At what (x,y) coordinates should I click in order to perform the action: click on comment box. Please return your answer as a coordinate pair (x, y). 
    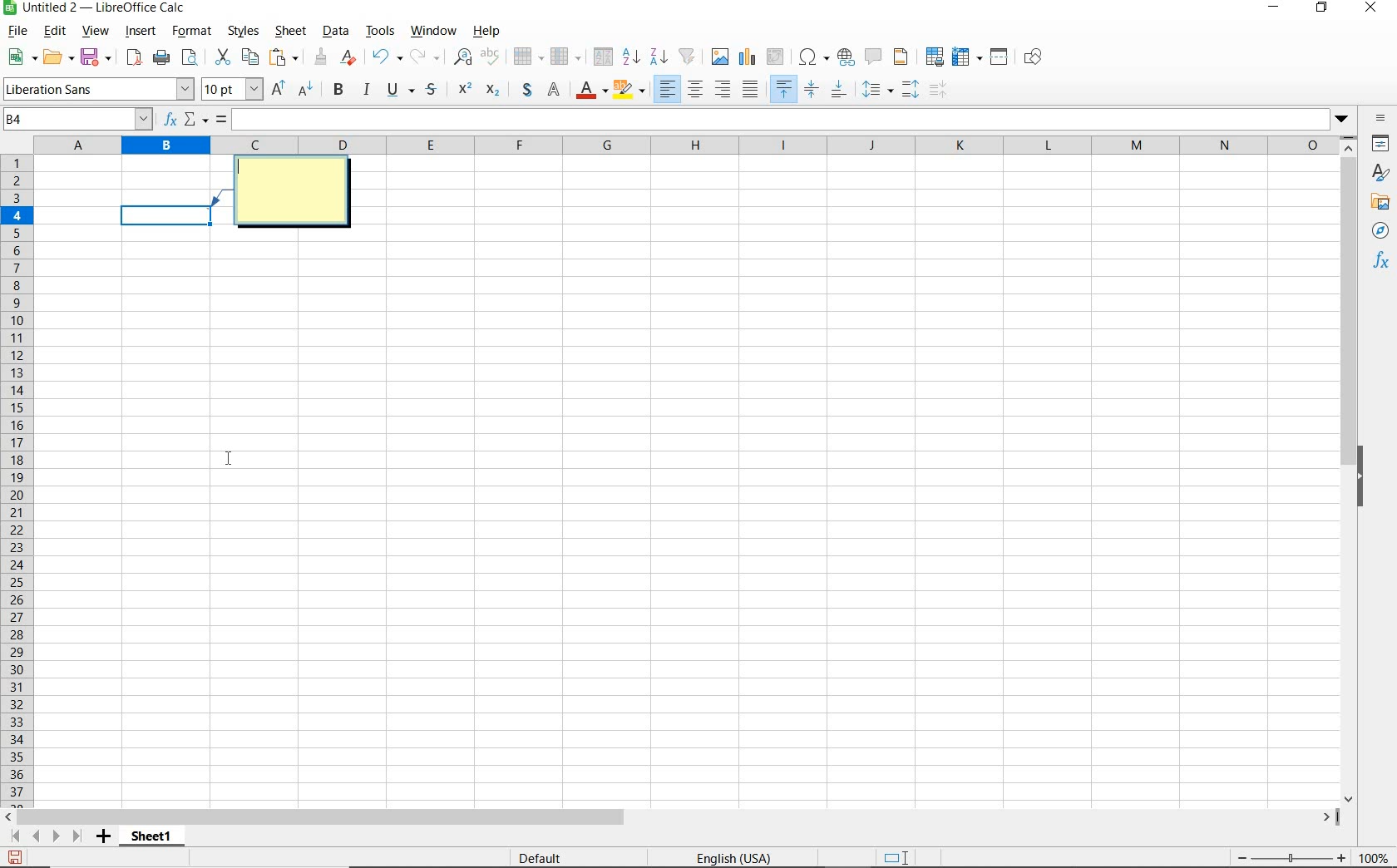
    Looking at the image, I should click on (302, 195).